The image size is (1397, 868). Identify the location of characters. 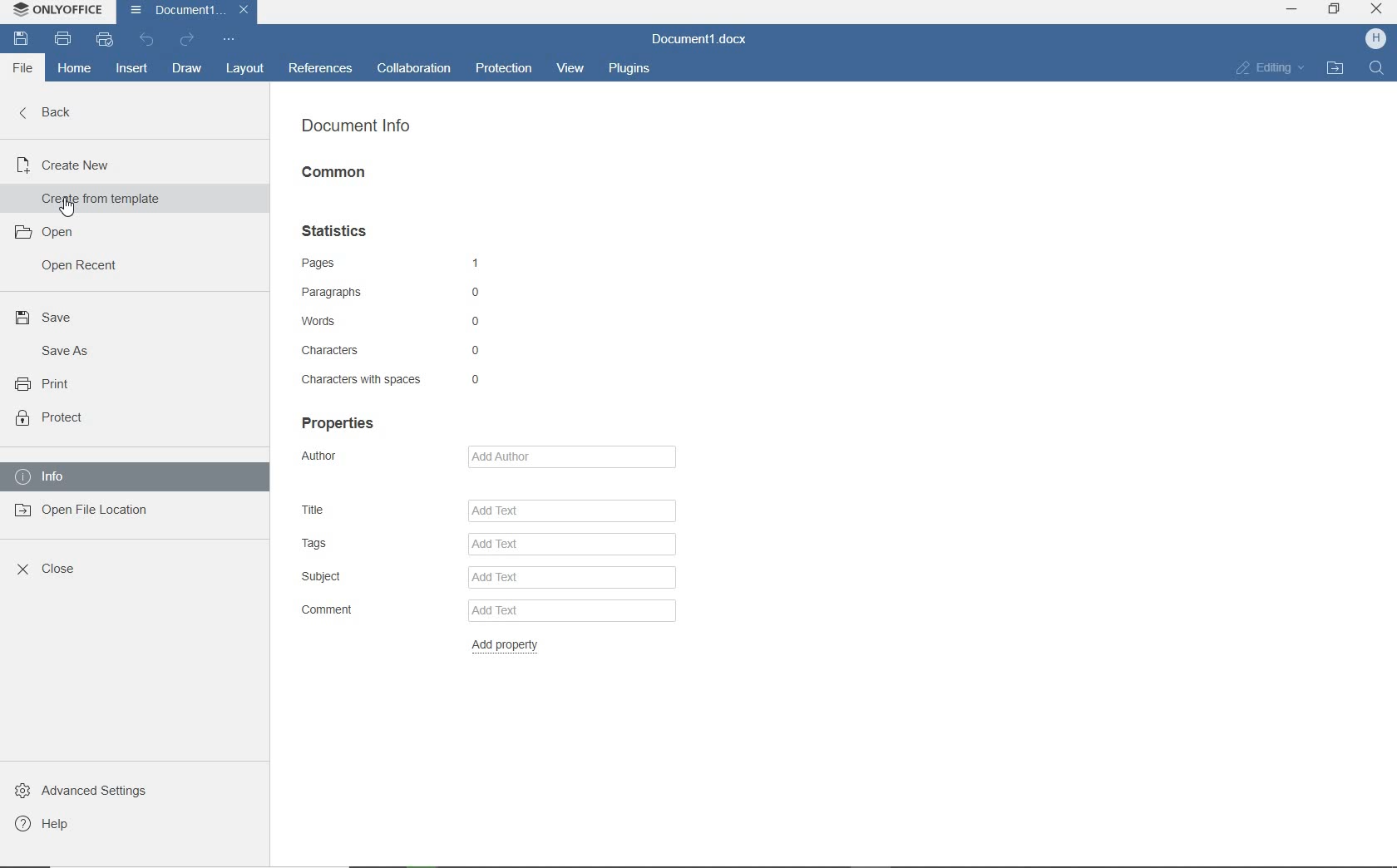
(397, 350).